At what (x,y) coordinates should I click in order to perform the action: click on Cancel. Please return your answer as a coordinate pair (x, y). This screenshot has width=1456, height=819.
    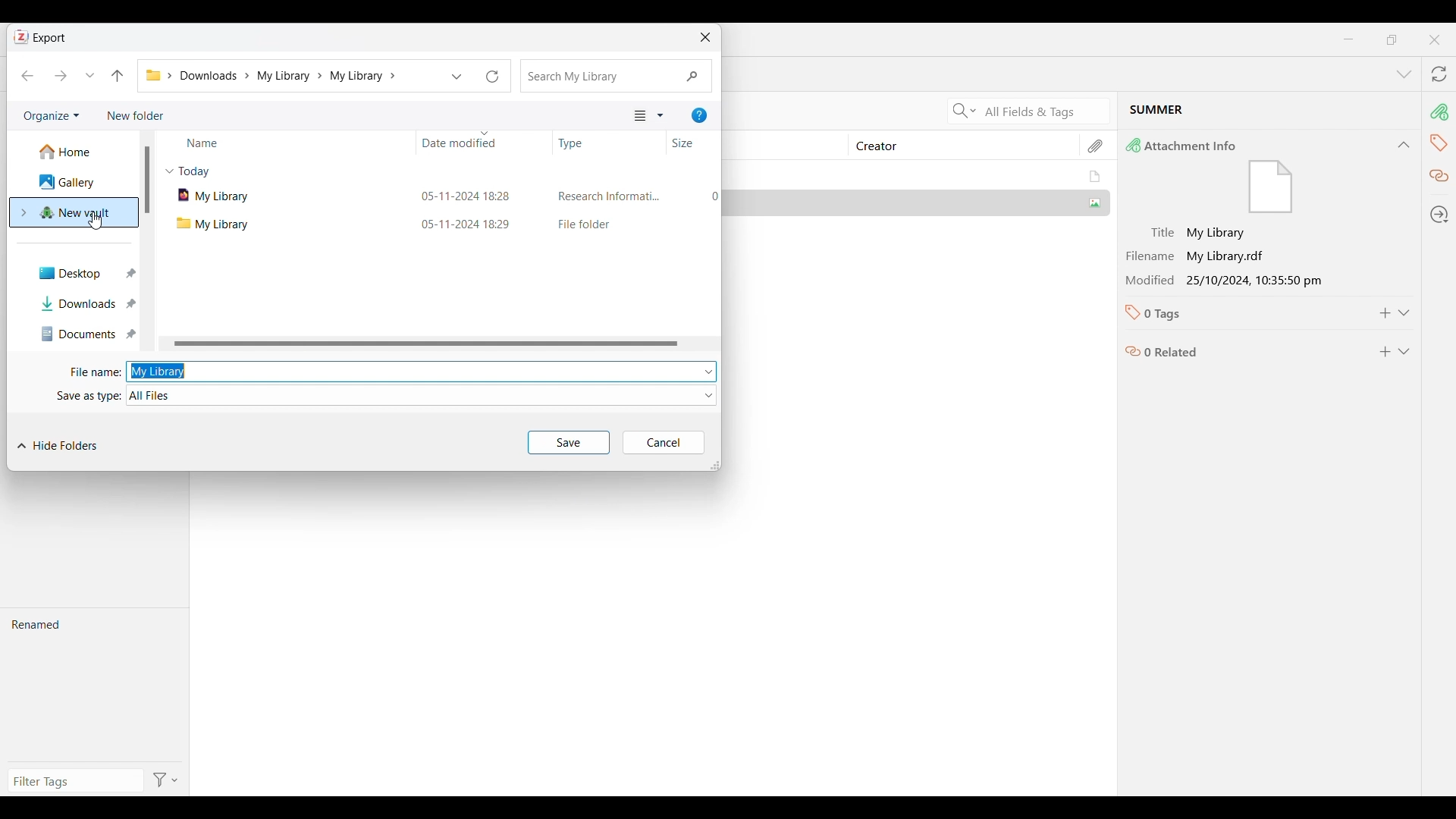
    Looking at the image, I should click on (663, 443).